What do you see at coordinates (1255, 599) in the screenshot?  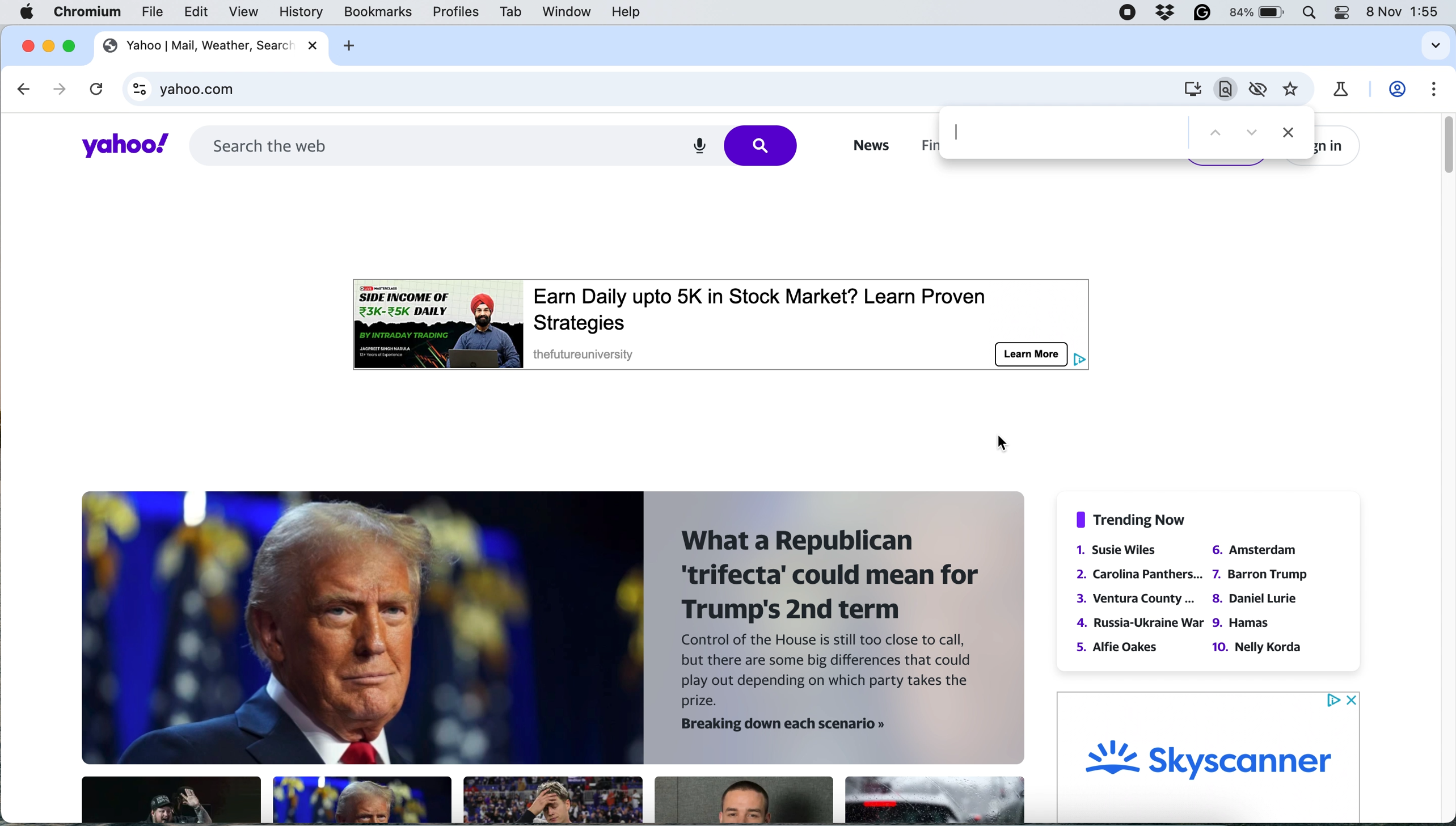 I see `Daniel` at bounding box center [1255, 599].